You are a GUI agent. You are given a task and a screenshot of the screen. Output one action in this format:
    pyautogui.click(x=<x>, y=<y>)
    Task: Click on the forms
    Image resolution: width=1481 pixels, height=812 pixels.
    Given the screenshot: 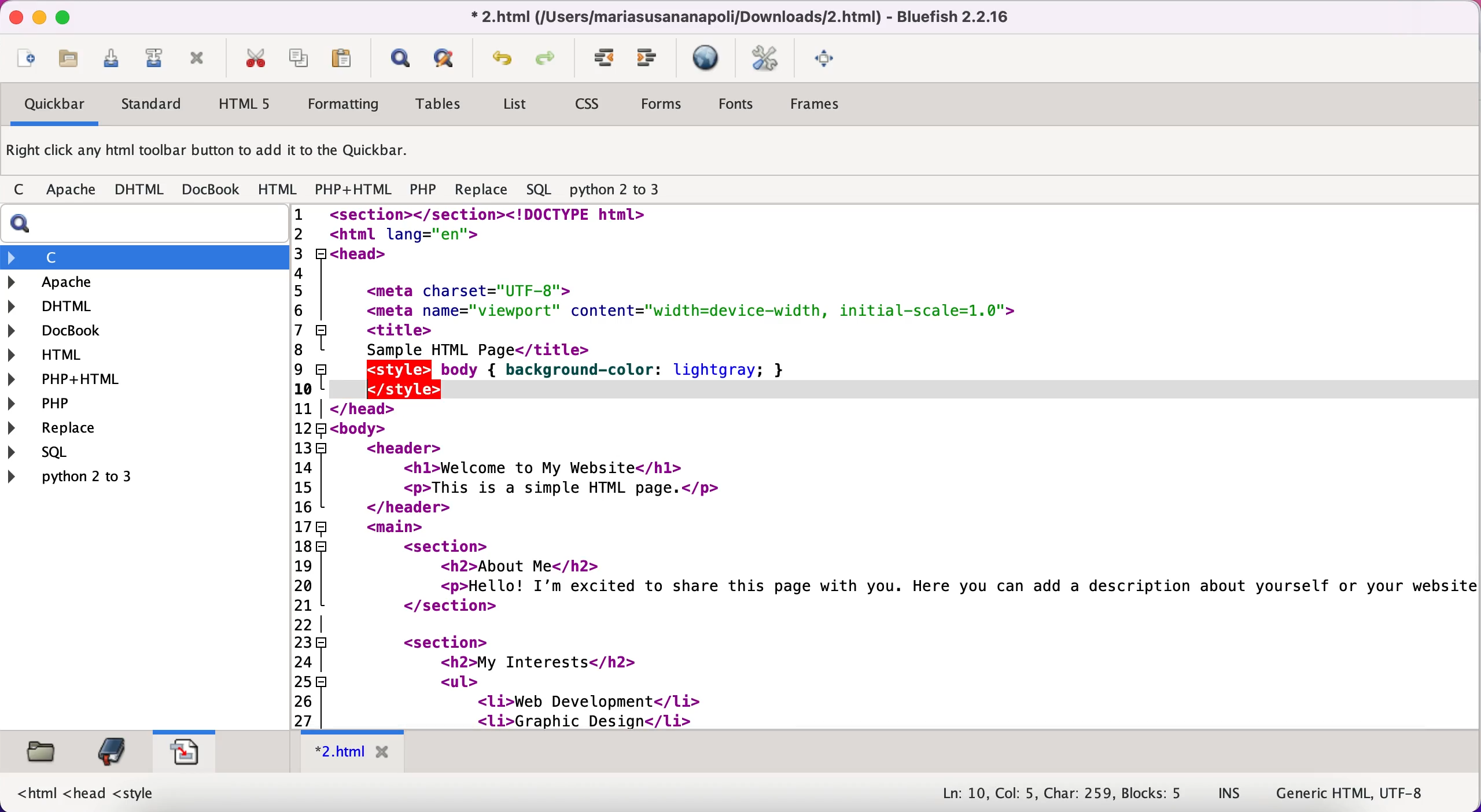 What is the action you would take?
    pyautogui.click(x=664, y=107)
    